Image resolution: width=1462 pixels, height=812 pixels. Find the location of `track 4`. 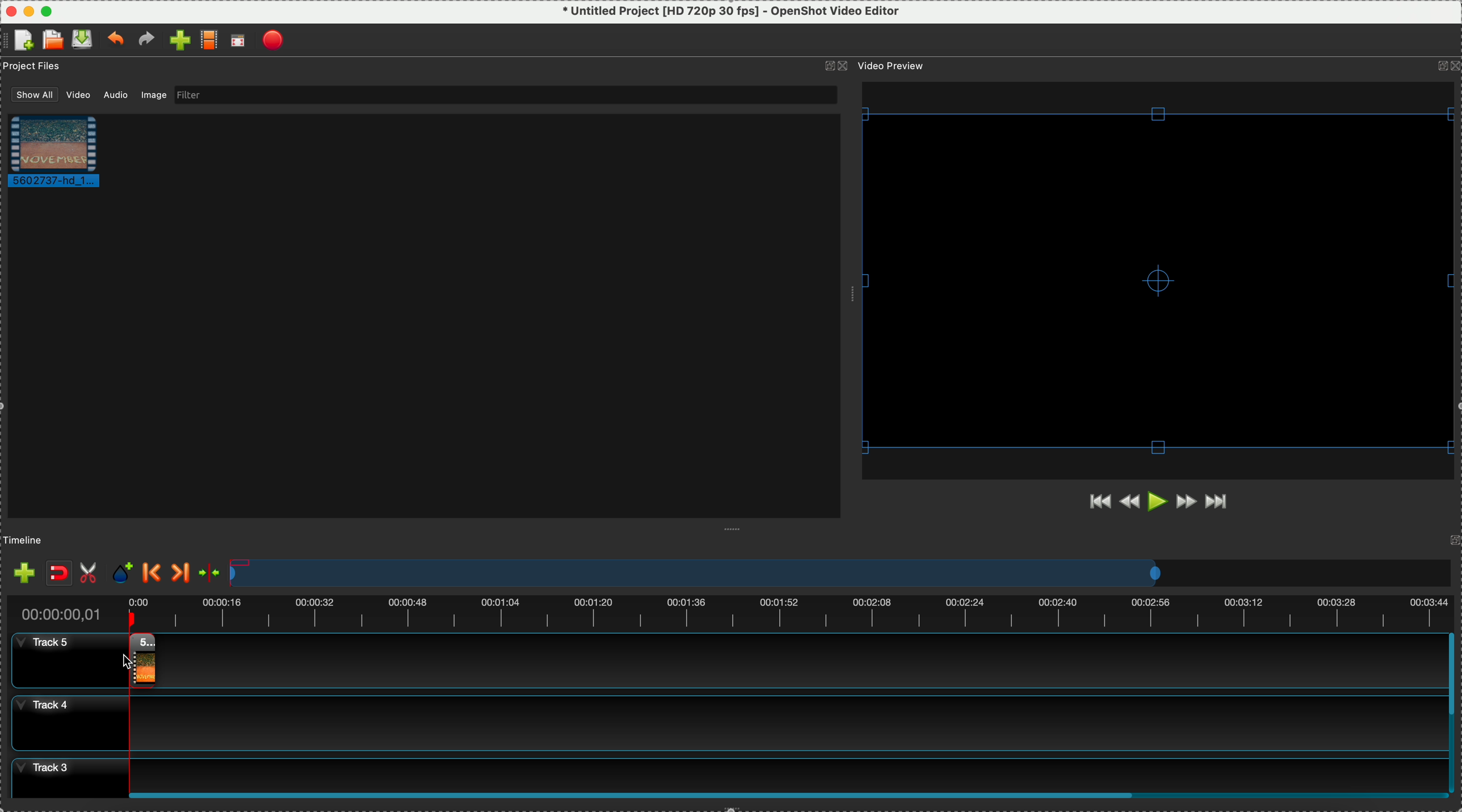

track 4 is located at coordinates (722, 723).